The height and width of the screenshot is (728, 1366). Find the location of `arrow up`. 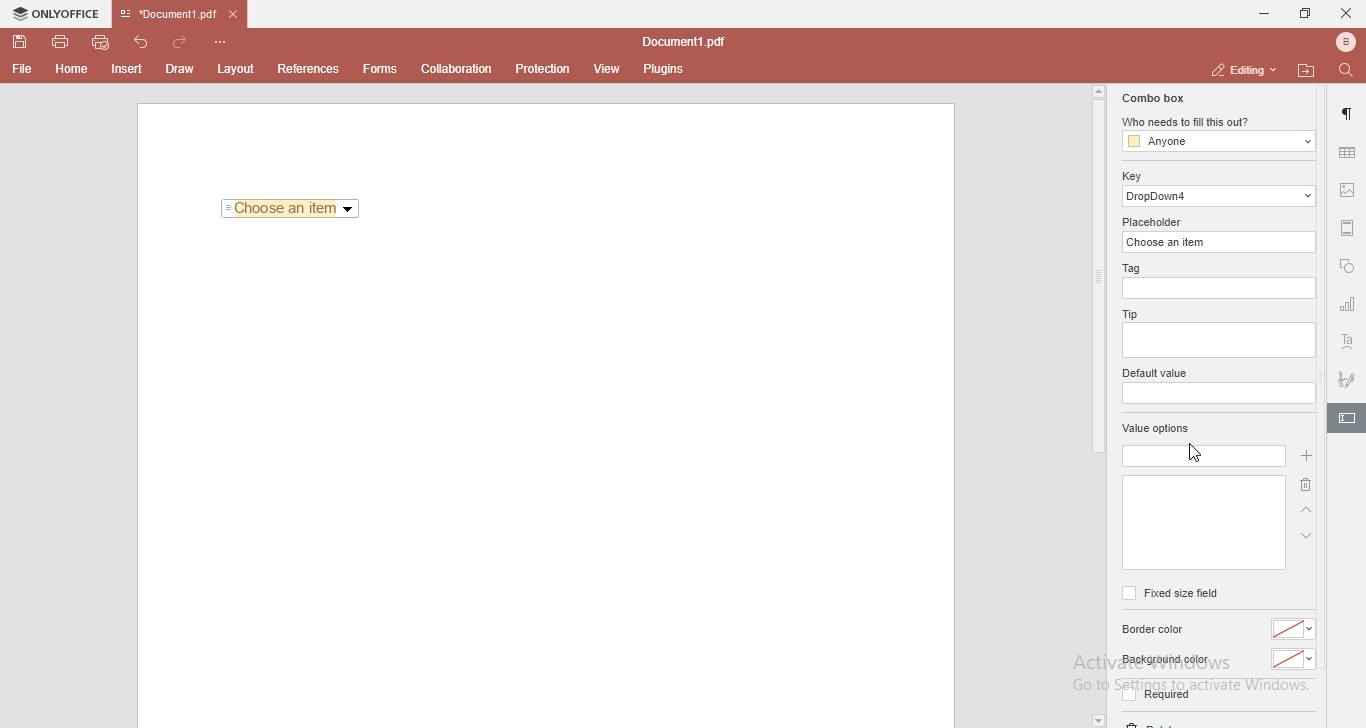

arrow up is located at coordinates (1307, 511).